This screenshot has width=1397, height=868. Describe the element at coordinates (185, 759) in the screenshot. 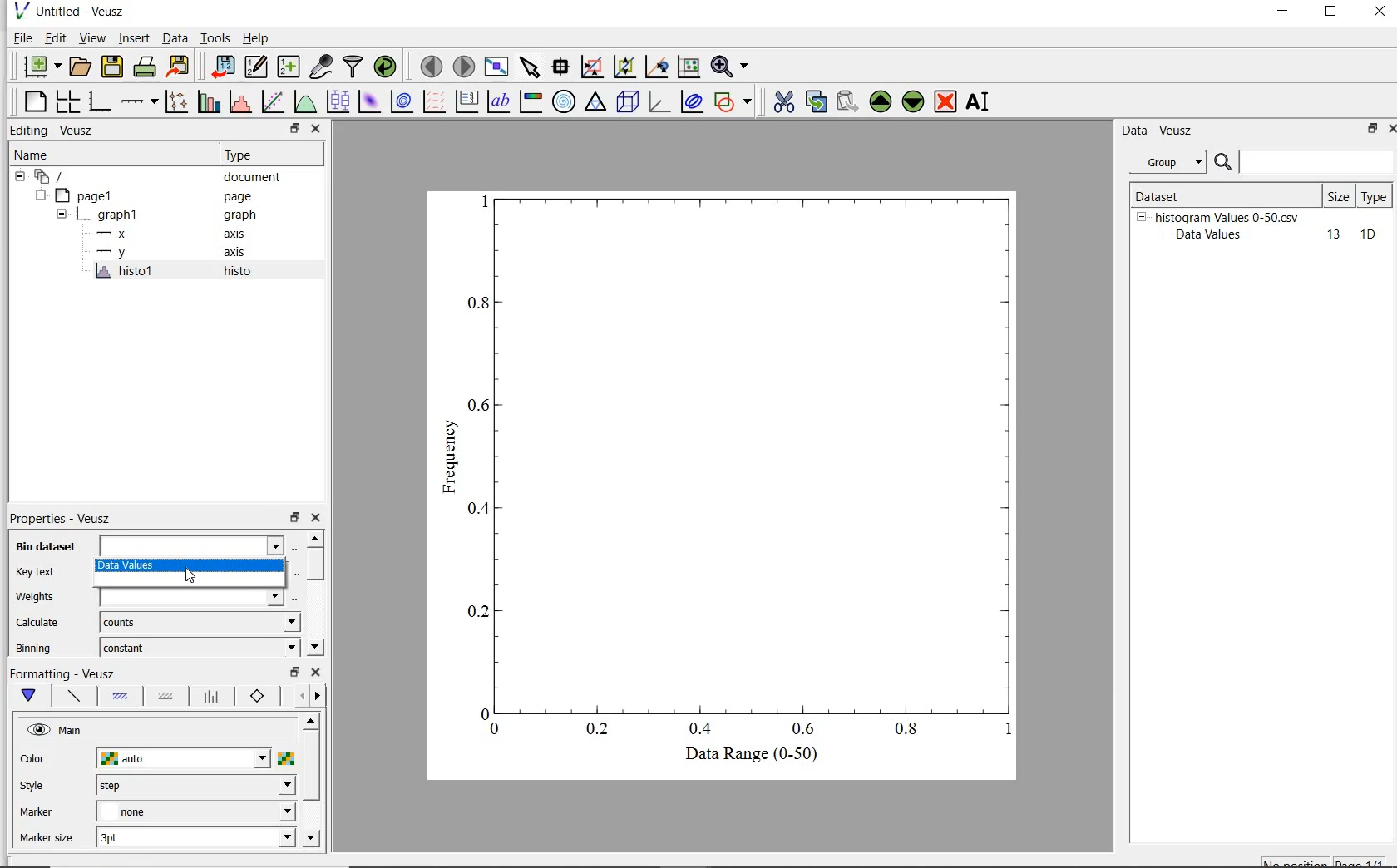

I see ` auto ` at that location.